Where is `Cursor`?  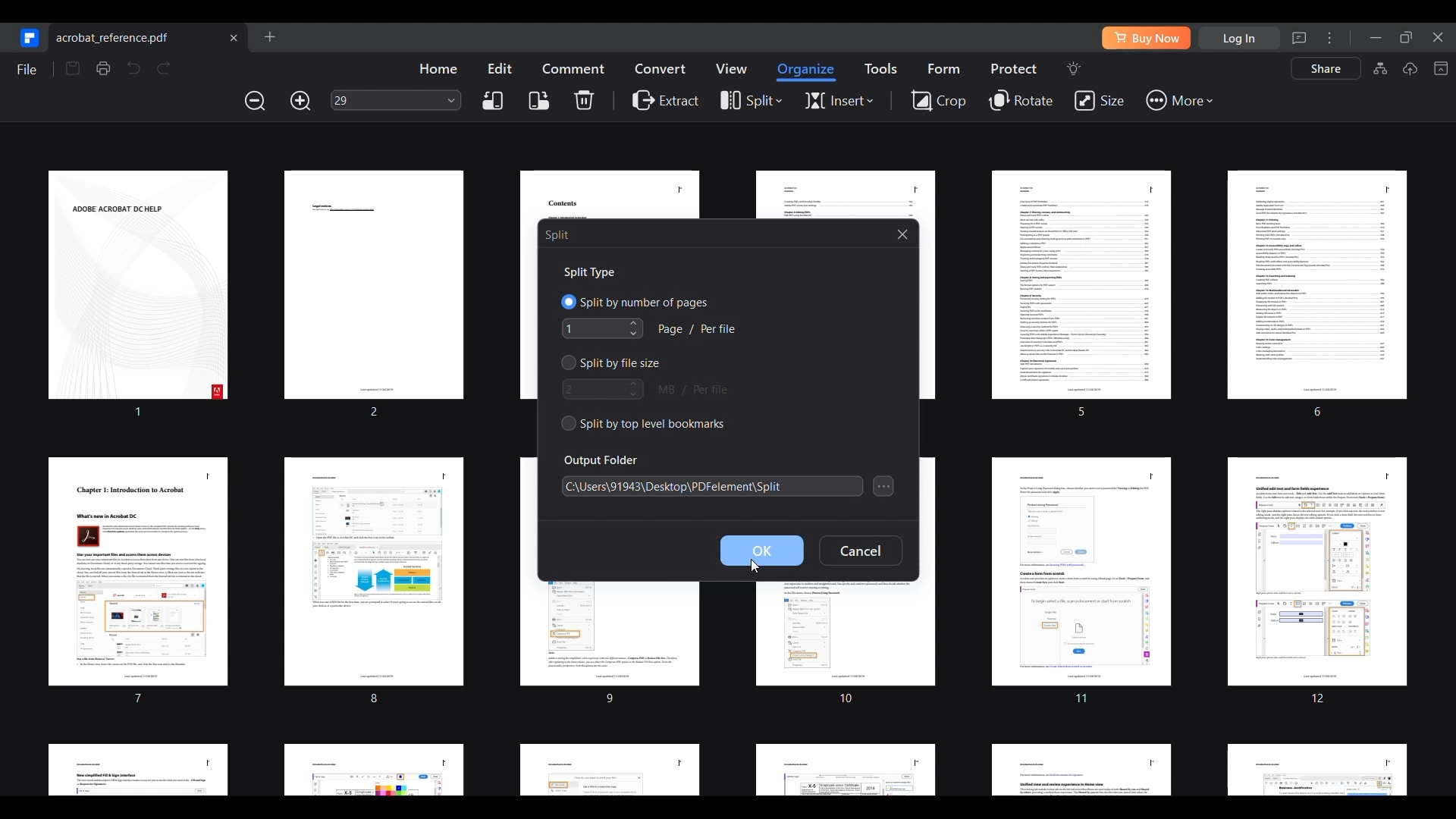
Cursor is located at coordinates (755, 567).